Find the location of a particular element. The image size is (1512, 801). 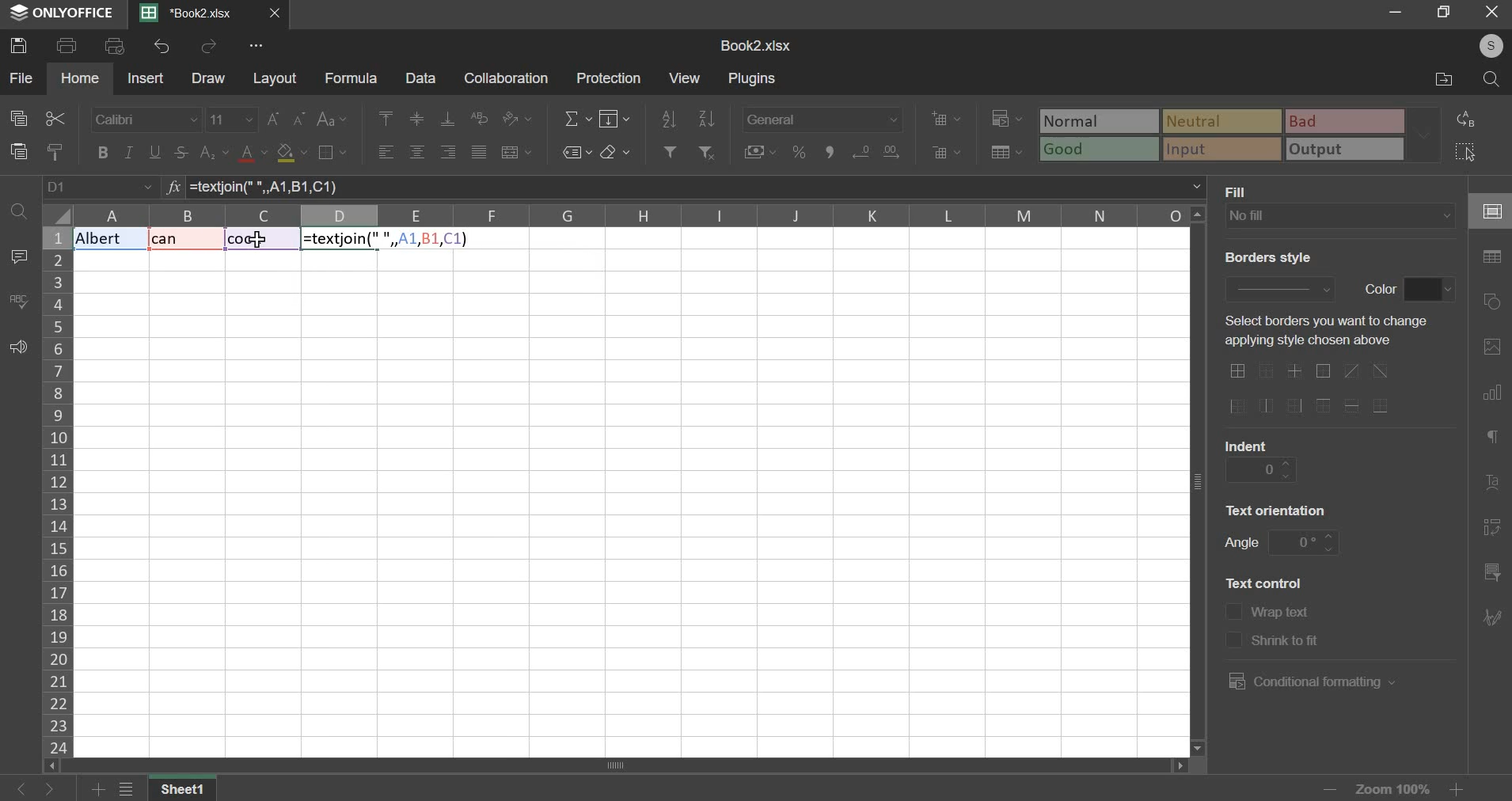

text art is located at coordinates (1492, 487).